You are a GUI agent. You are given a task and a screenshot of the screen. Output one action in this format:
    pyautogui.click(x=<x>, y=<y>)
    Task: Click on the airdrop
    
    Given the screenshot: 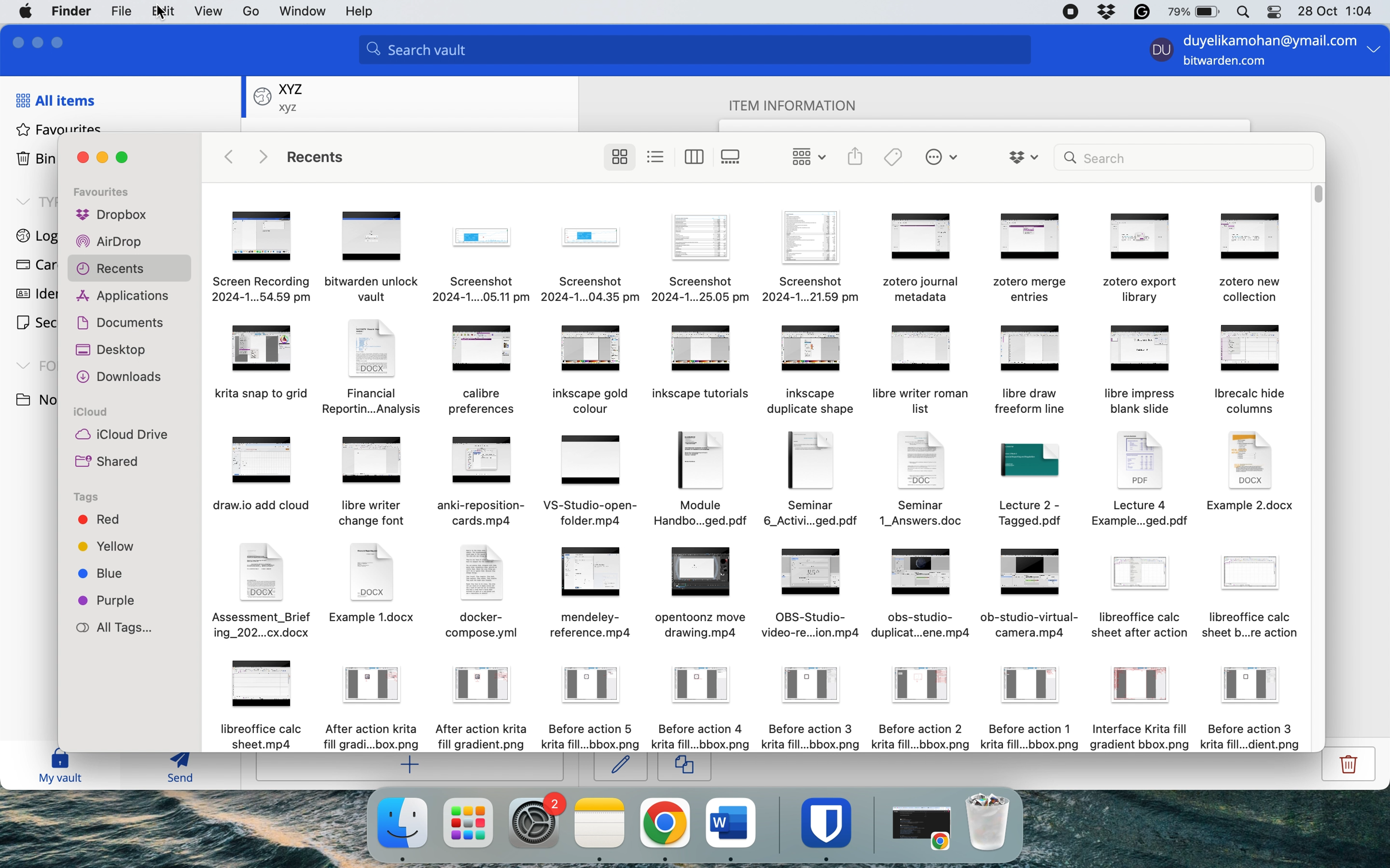 What is the action you would take?
    pyautogui.click(x=109, y=243)
    